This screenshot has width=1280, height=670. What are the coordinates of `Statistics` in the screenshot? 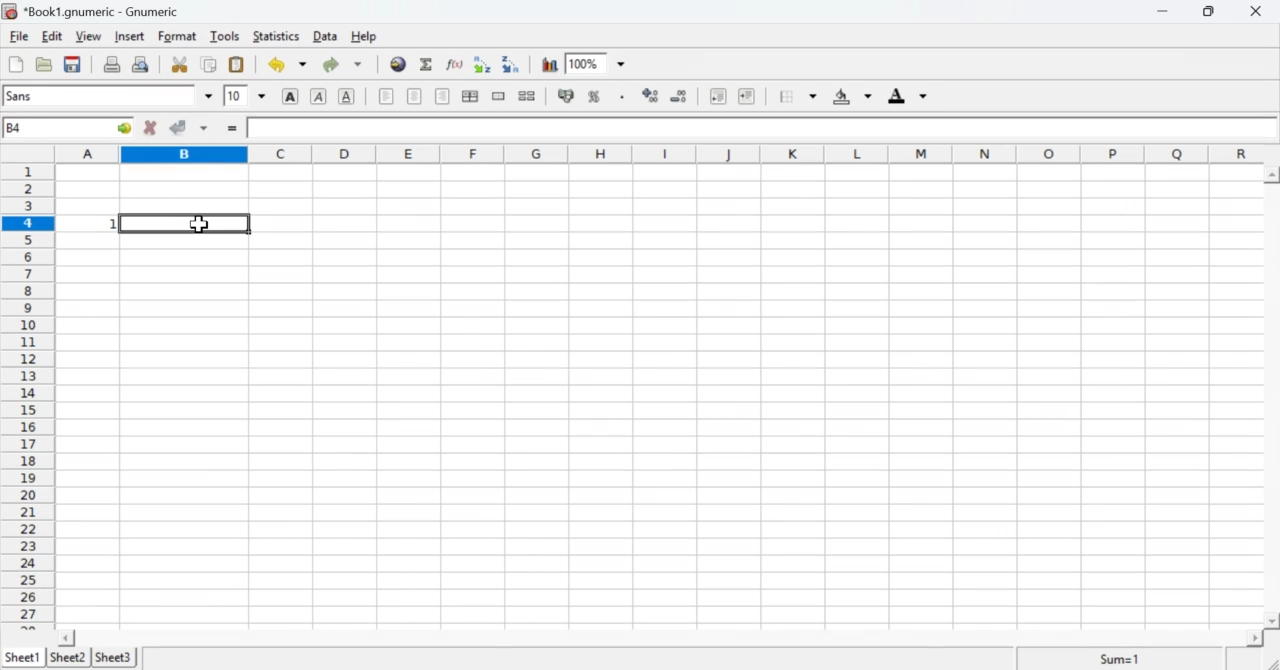 It's located at (277, 36).